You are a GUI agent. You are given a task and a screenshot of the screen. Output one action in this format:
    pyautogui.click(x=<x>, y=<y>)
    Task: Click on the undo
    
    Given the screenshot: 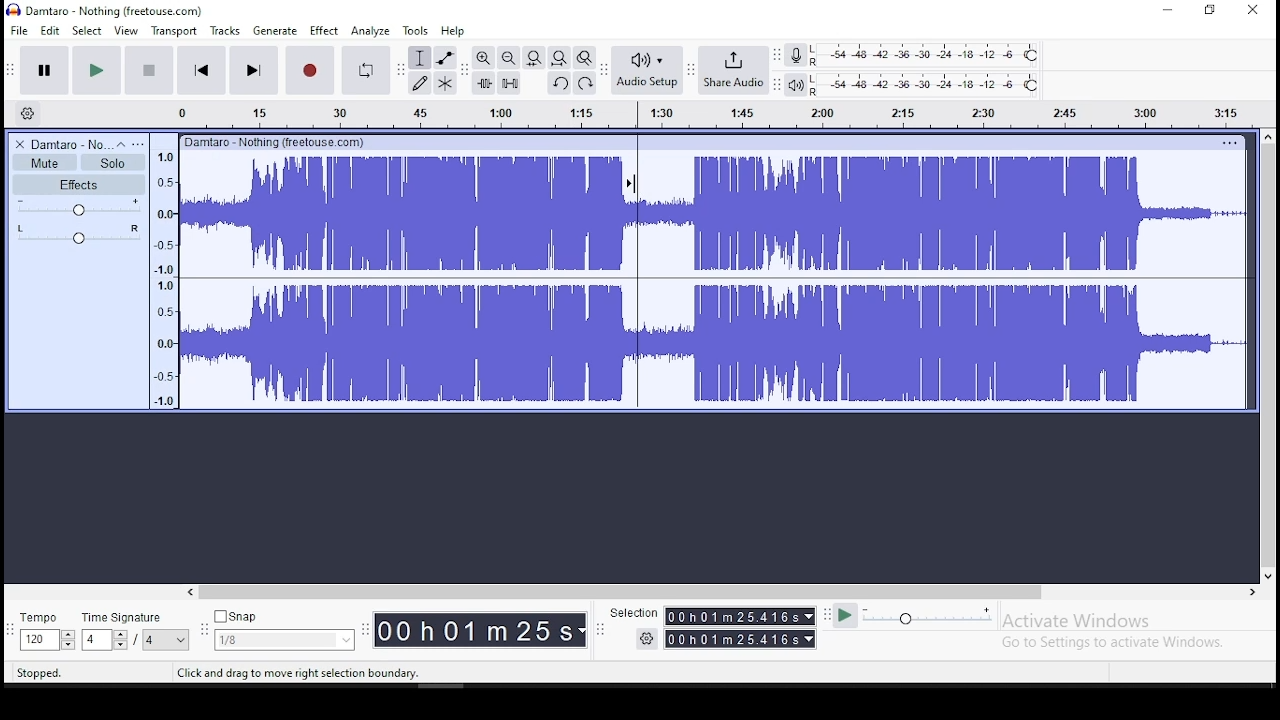 What is the action you would take?
    pyautogui.click(x=560, y=84)
    